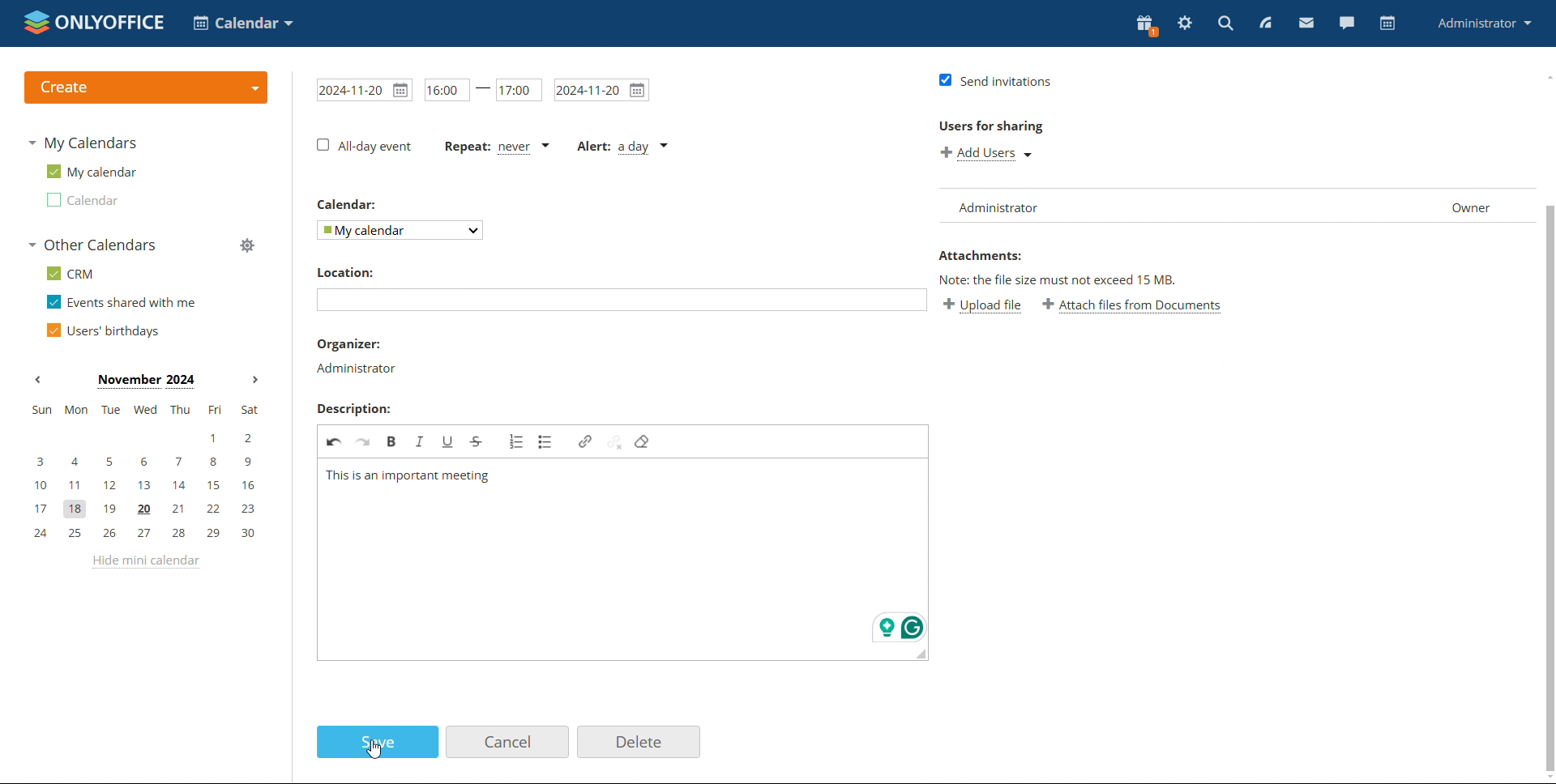 The image size is (1556, 784). What do you see at coordinates (1148, 24) in the screenshot?
I see `present` at bounding box center [1148, 24].